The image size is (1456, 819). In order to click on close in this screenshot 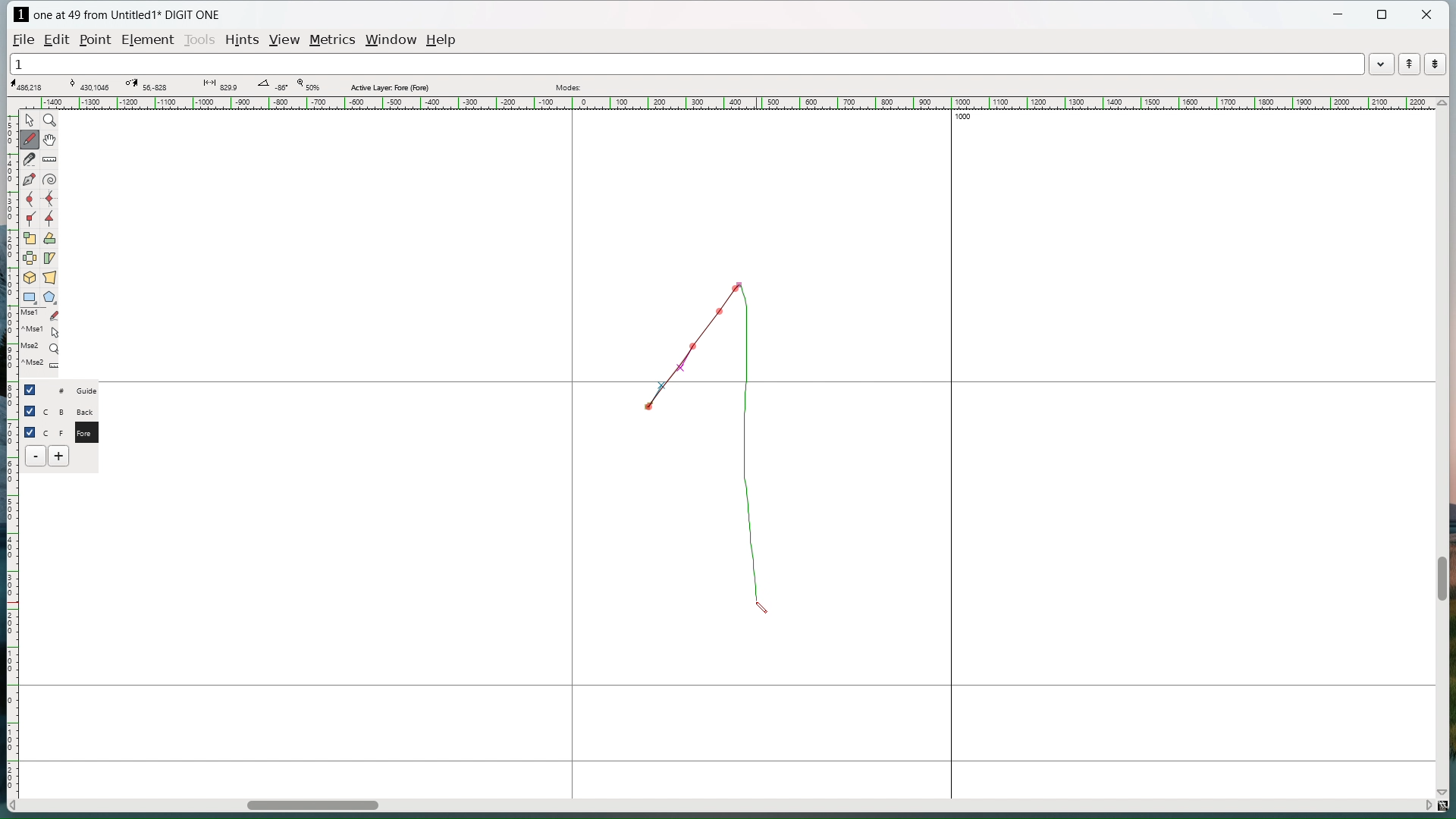, I will do `click(1426, 14)`.